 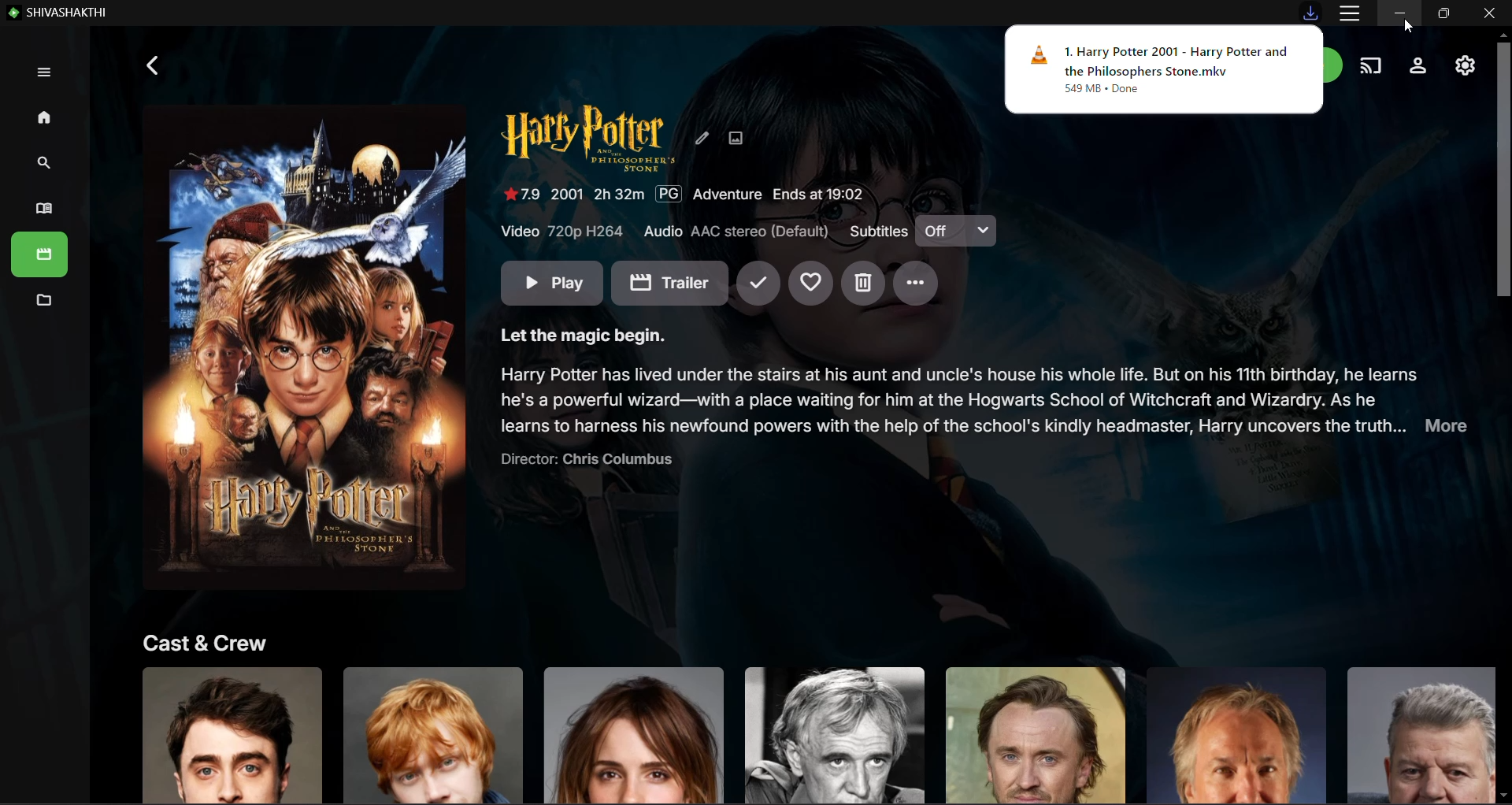 I want to click on Cursor, so click(x=1409, y=26).